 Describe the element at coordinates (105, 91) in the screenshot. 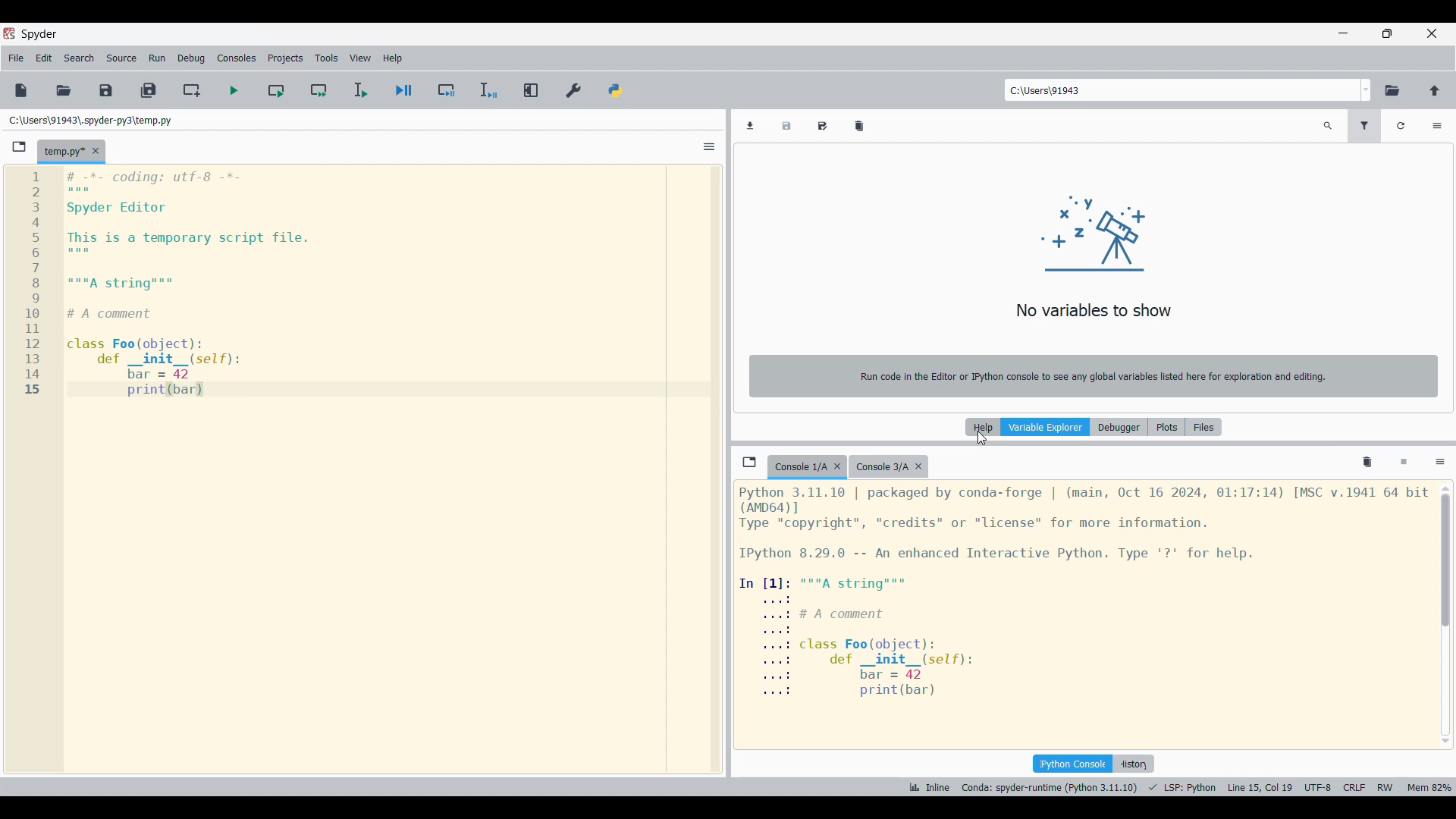

I see `Save file` at that location.